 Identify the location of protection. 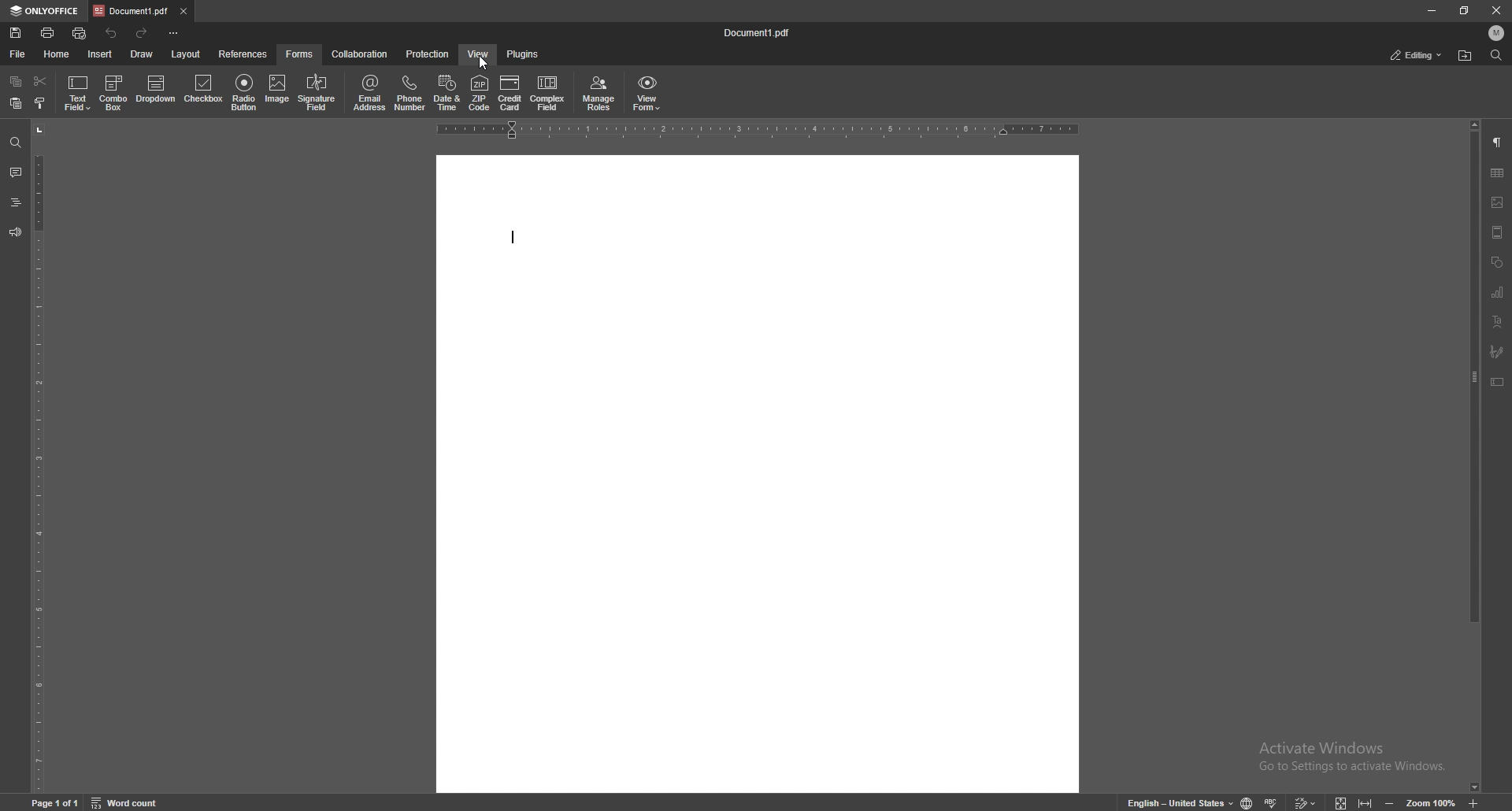
(428, 53).